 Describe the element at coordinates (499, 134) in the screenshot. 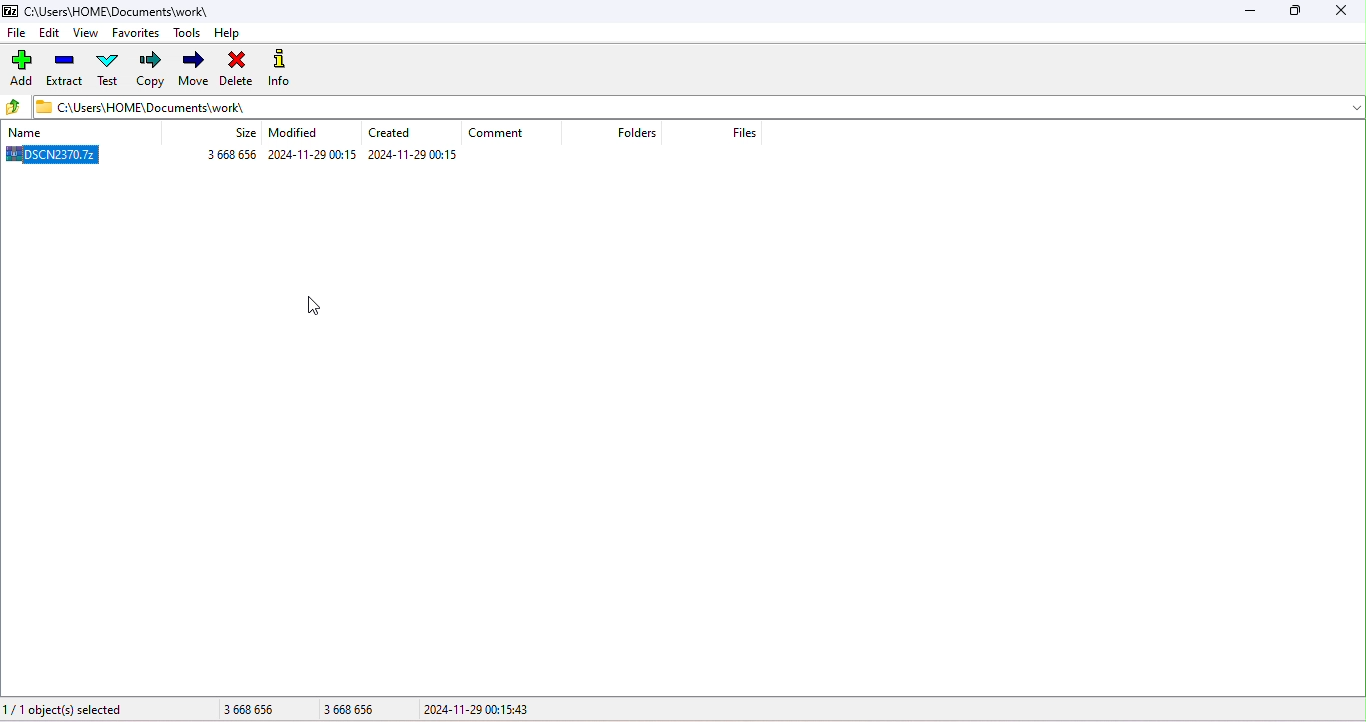

I see `comment` at that location.